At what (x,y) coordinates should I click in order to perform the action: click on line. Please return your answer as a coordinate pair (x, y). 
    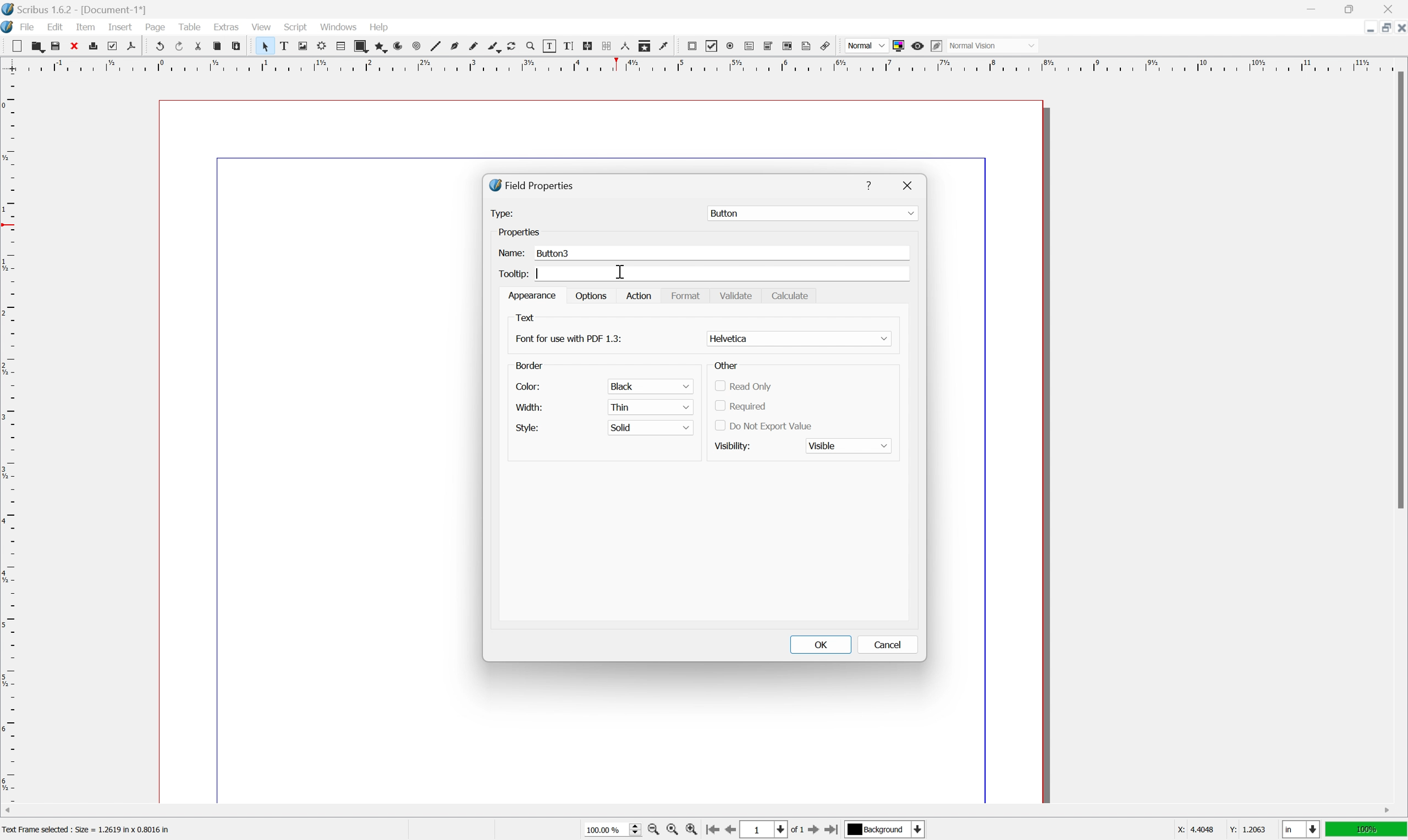
    Looking at the image, I should click on (435, 46).